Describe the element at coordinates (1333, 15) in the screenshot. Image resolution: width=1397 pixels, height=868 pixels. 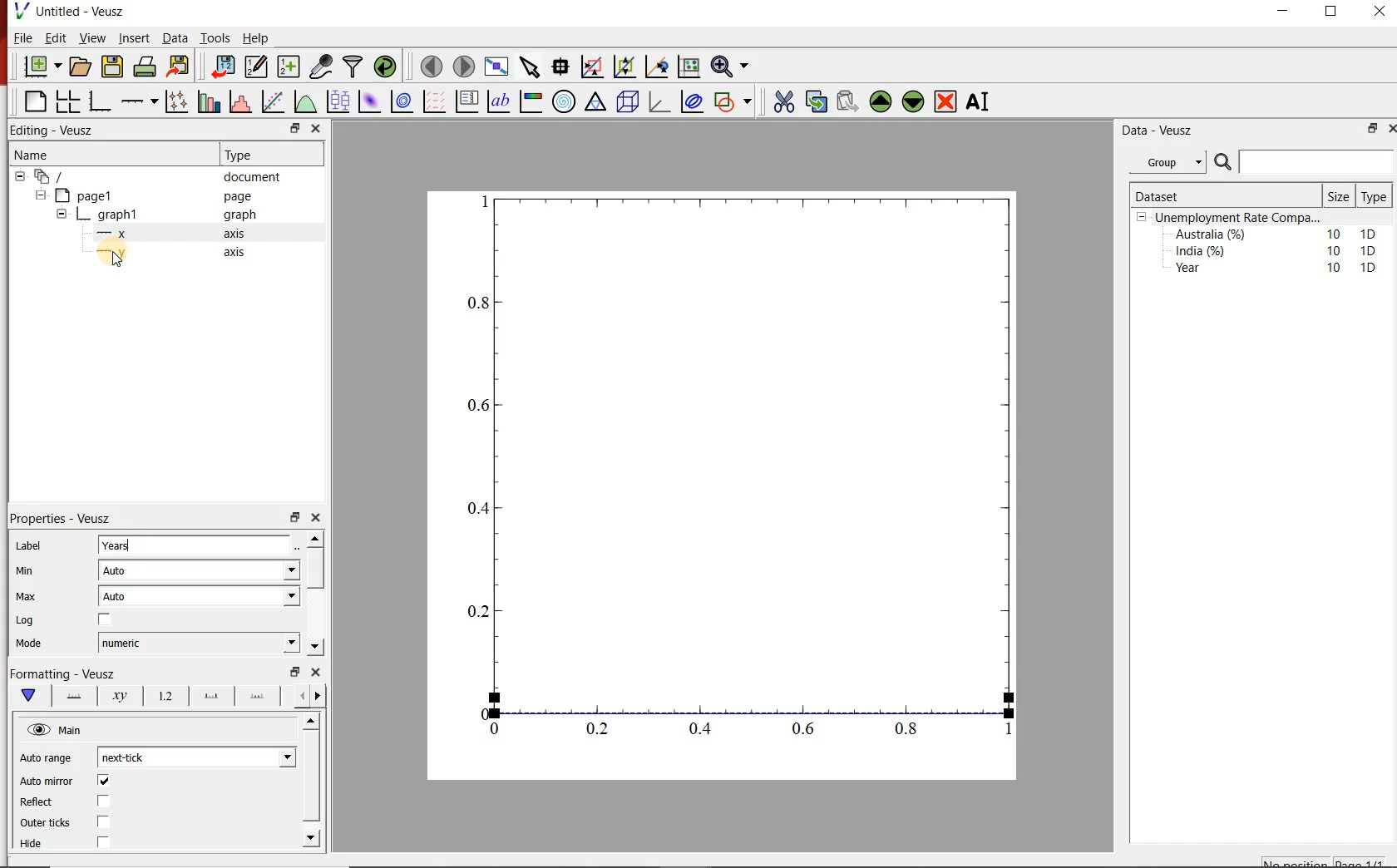
I see `maximise` at that location.